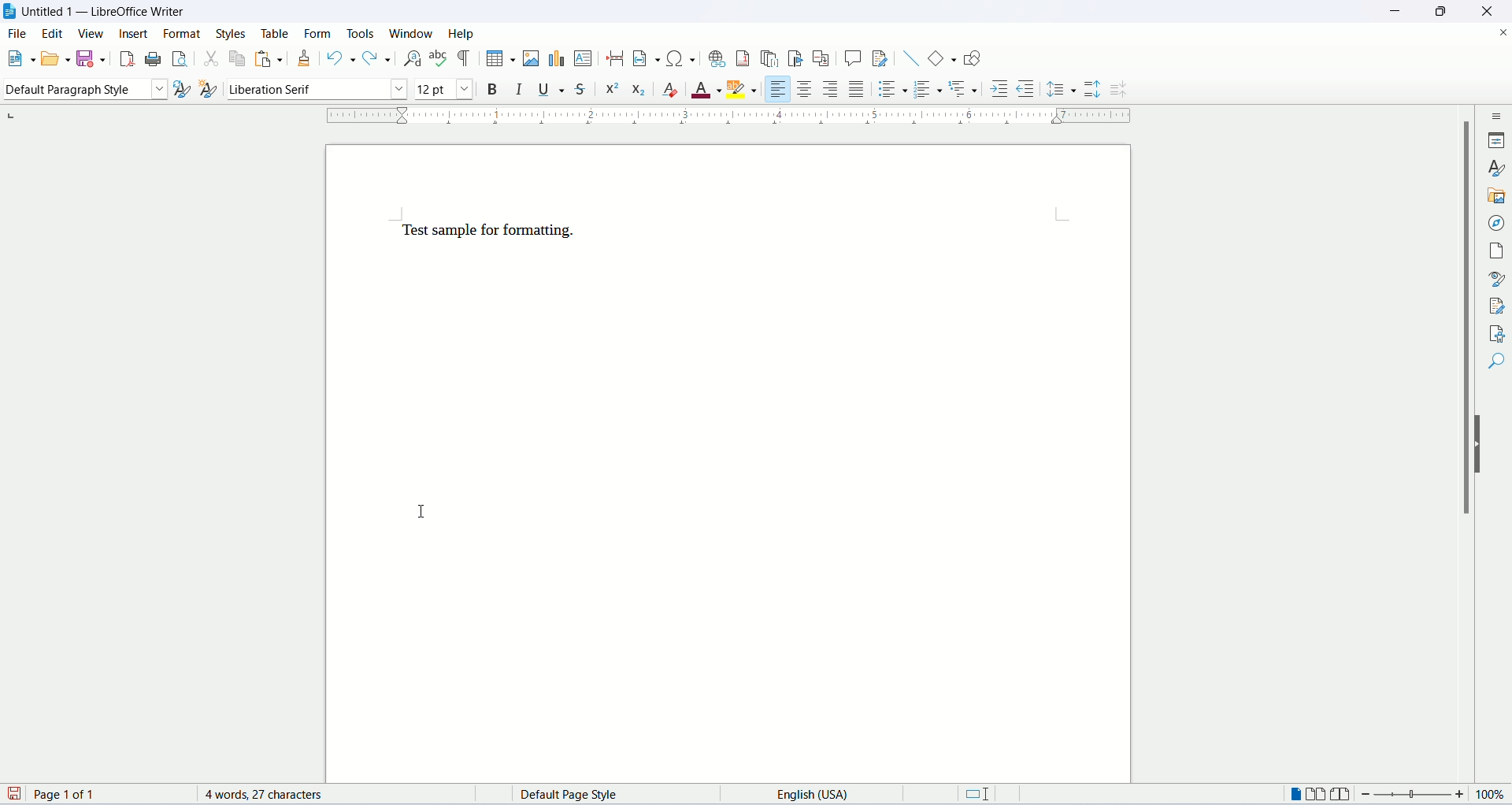 The image size is (1512, 805). Describe the element at coordinates (209, 90) in the screenshot. I see `new style` at that location.